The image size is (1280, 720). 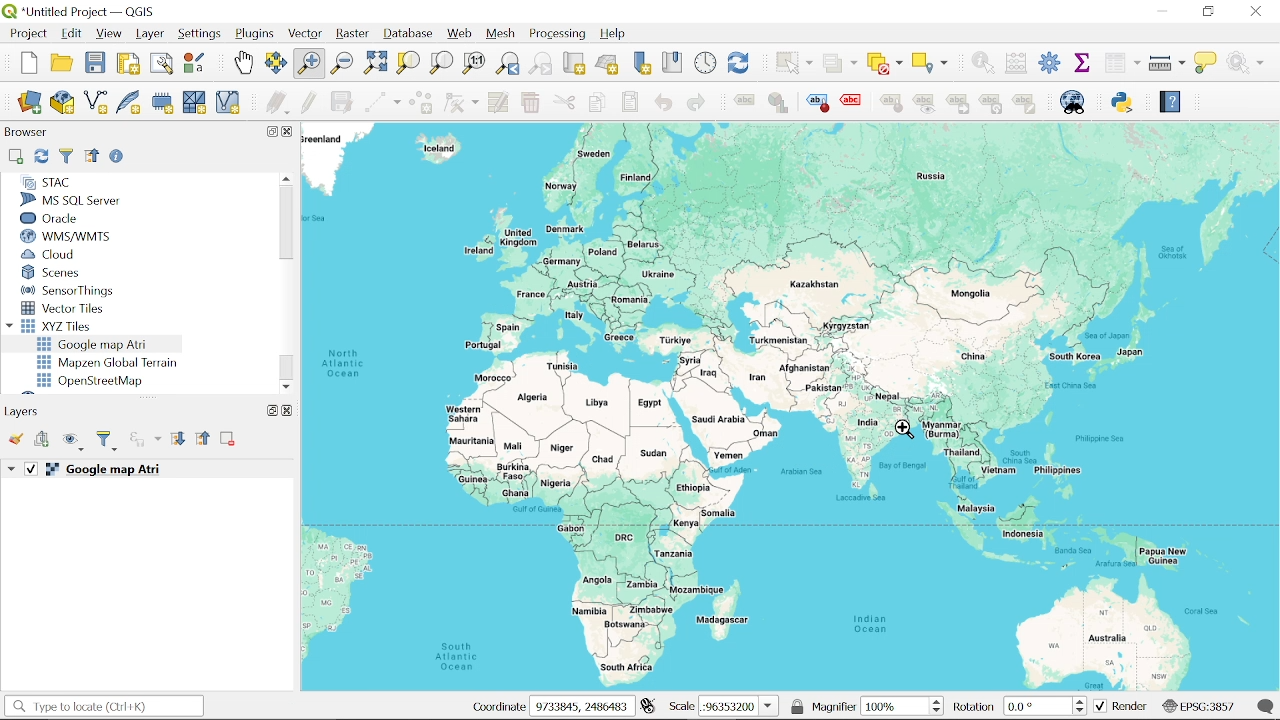 I want to click on Magnifier, so click(x=895, y=706).